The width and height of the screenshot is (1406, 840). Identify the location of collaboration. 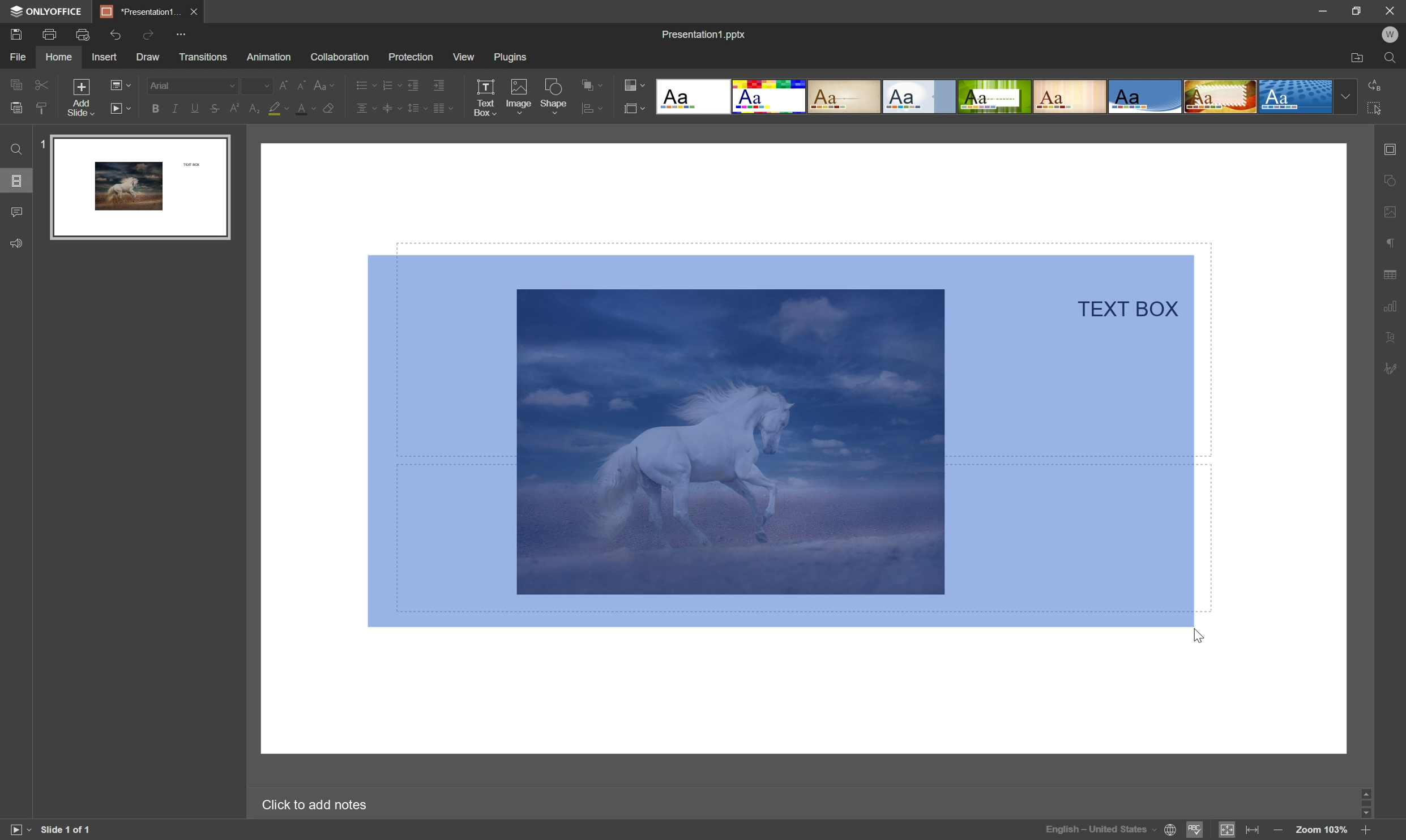
(342, 58).